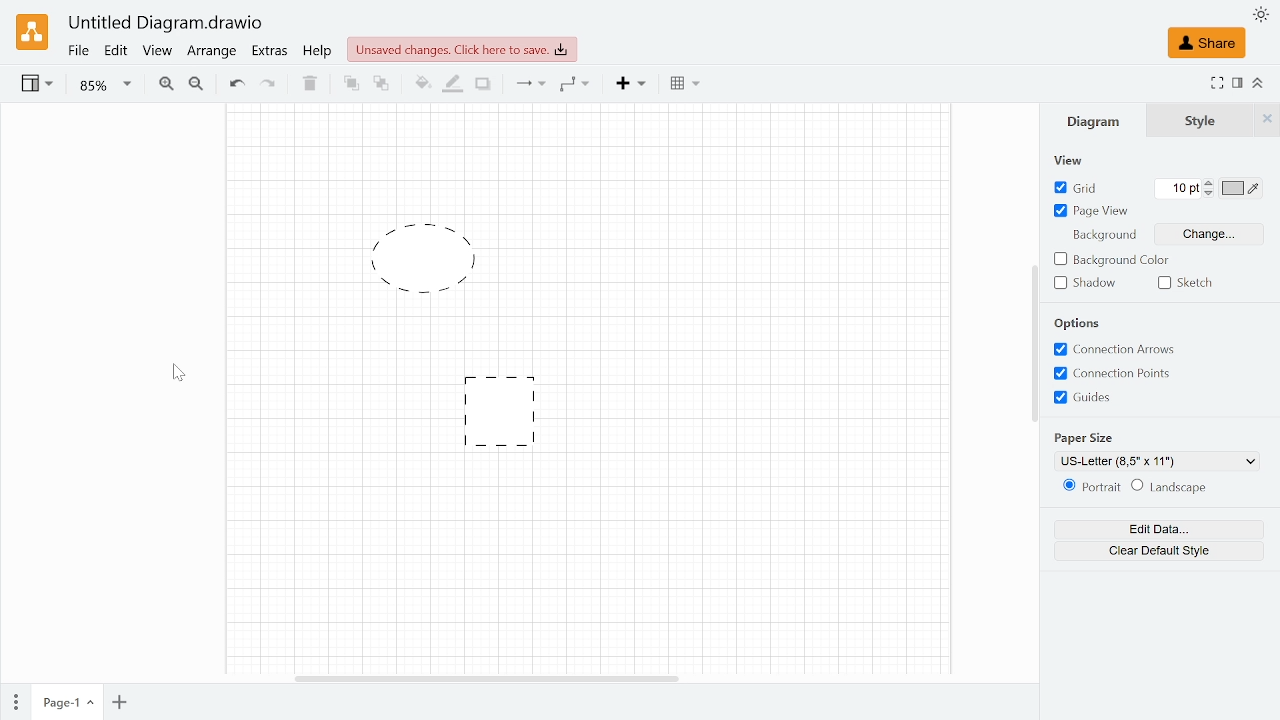 The width and height of the screenshot is (1280, 720). Describe the element at coordinates (1116, 375) in the screenshot. I see `Connections Points` at that location.